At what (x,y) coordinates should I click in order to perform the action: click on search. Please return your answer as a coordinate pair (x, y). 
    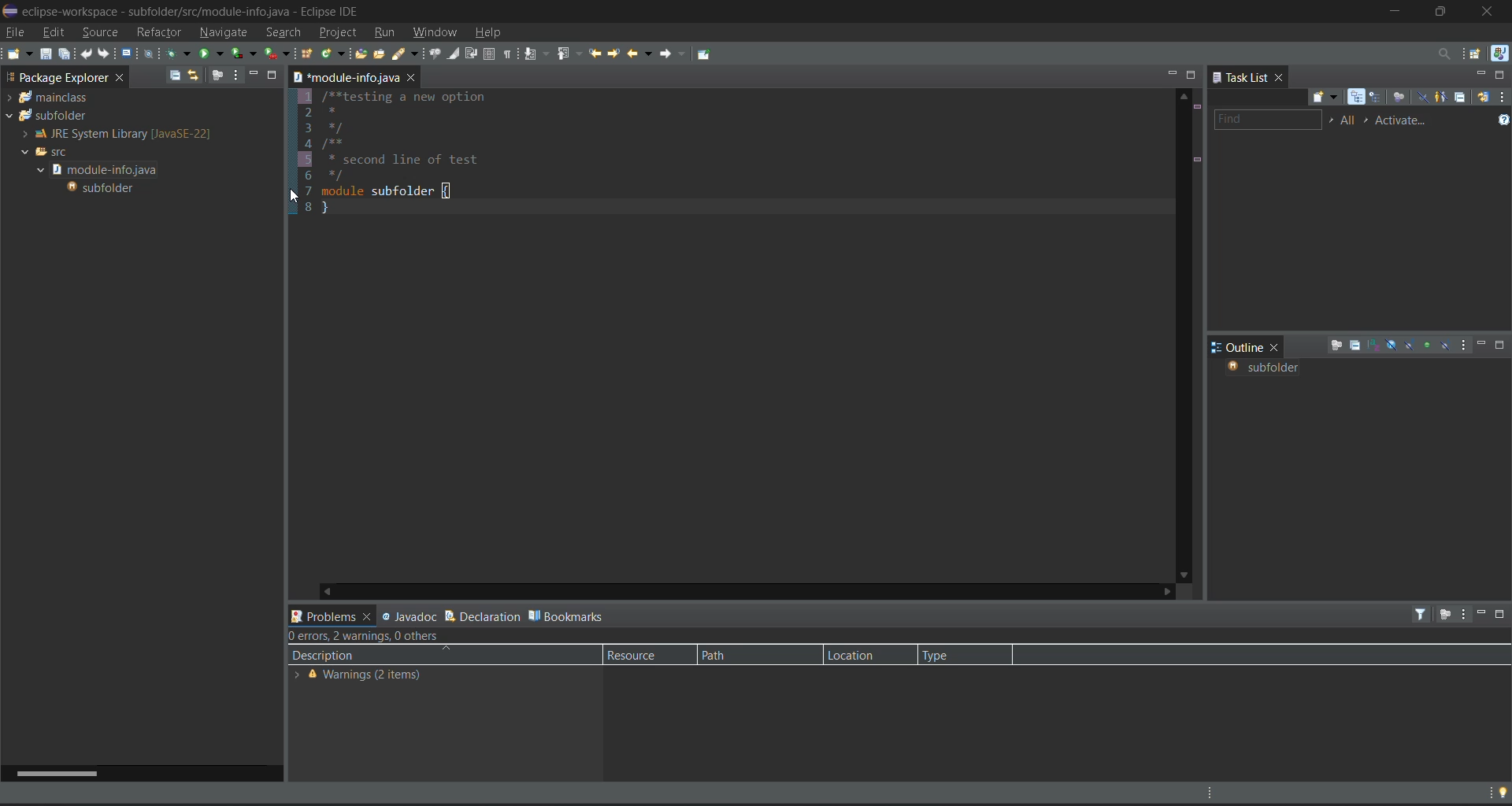
    Looking at the image, I should click on (282, 30).